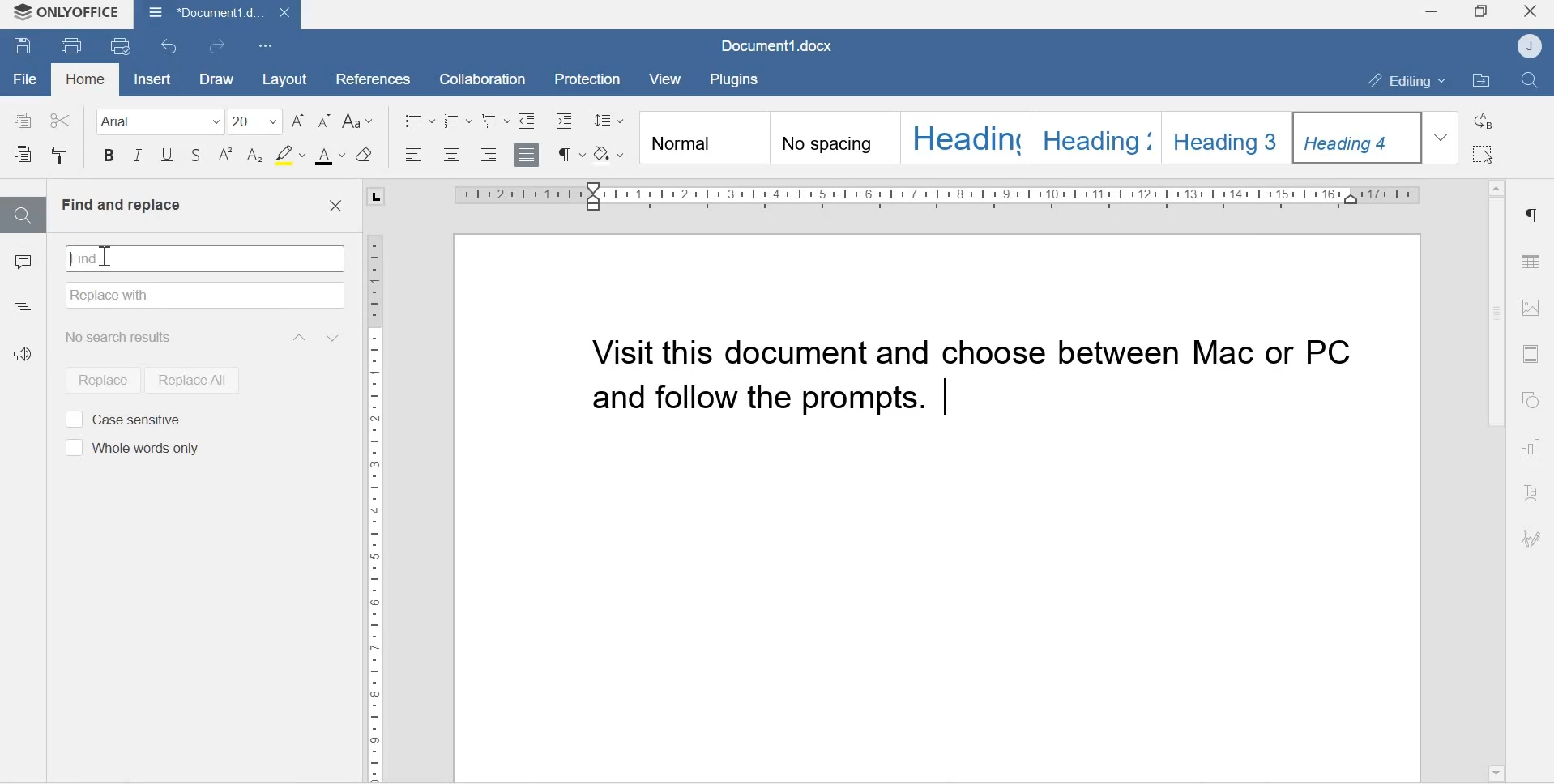  What do you see at coordinates (1229, 135) in the screenshot?
I see `Heading 3` at bounding box center [1229, 135].